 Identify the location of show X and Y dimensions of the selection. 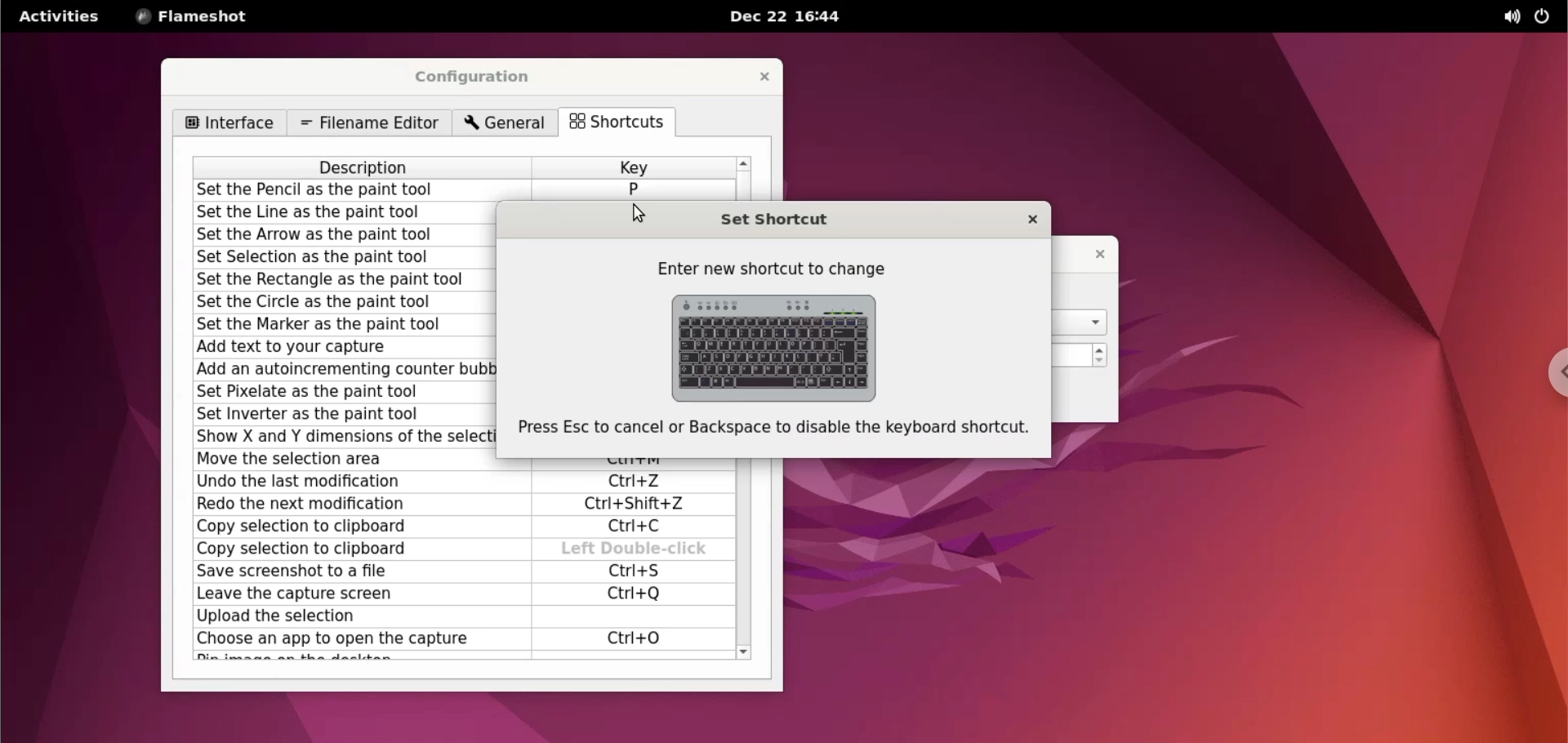
(344, 437).